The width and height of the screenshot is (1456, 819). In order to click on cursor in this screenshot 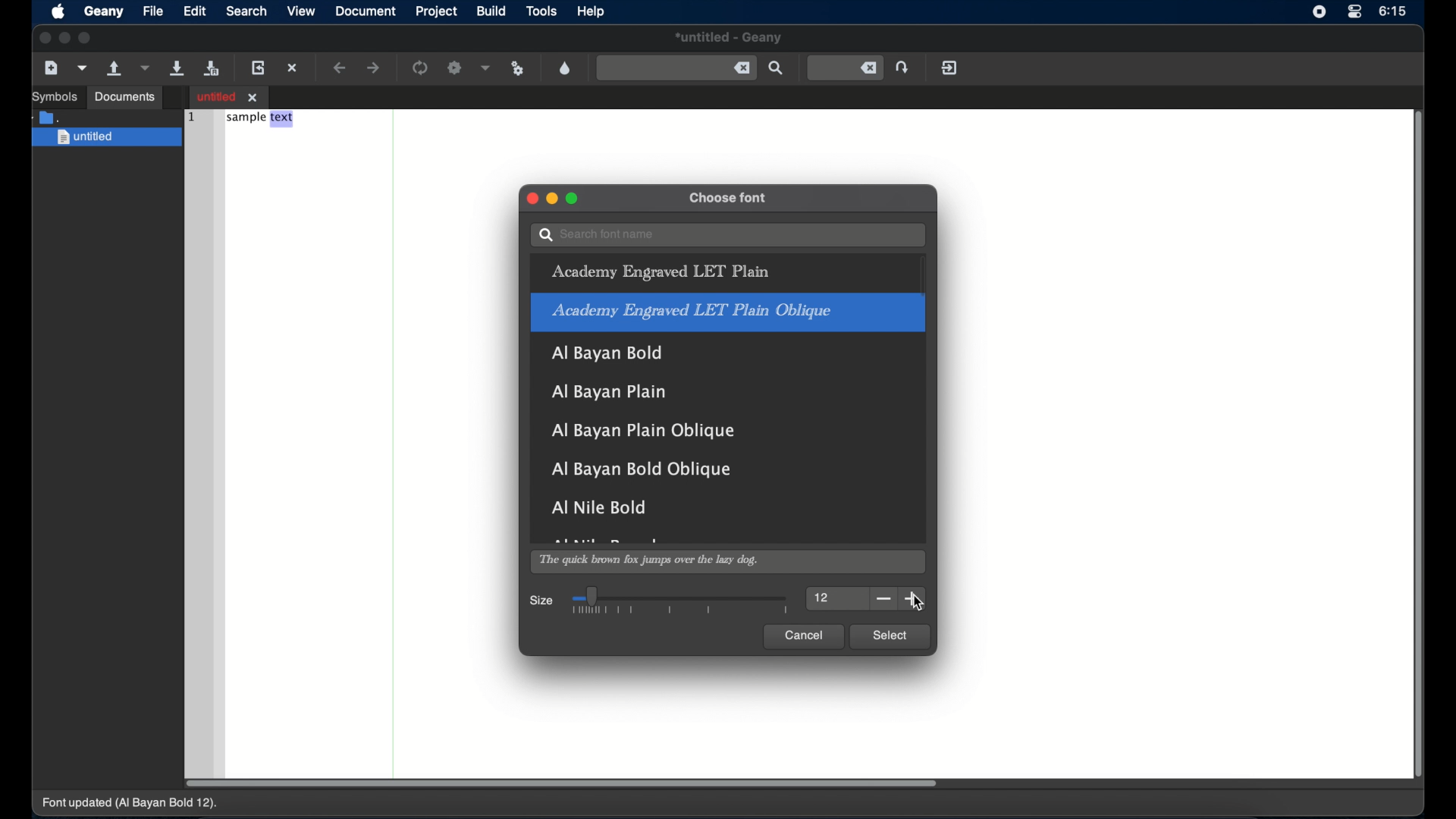, I will do `click(917, 603)`.